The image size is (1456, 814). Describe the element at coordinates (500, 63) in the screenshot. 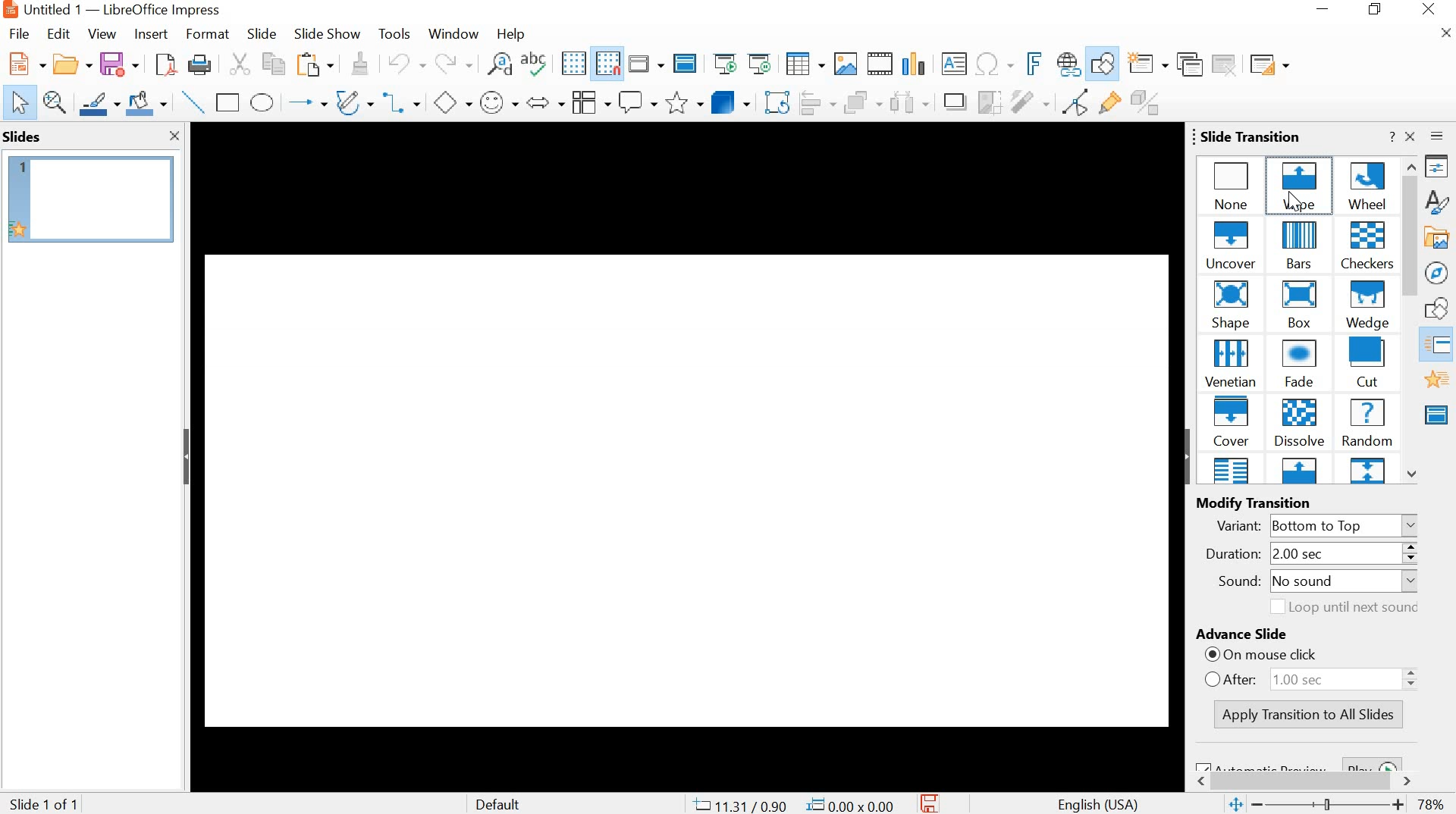

I see `Find and Replace` at that location.